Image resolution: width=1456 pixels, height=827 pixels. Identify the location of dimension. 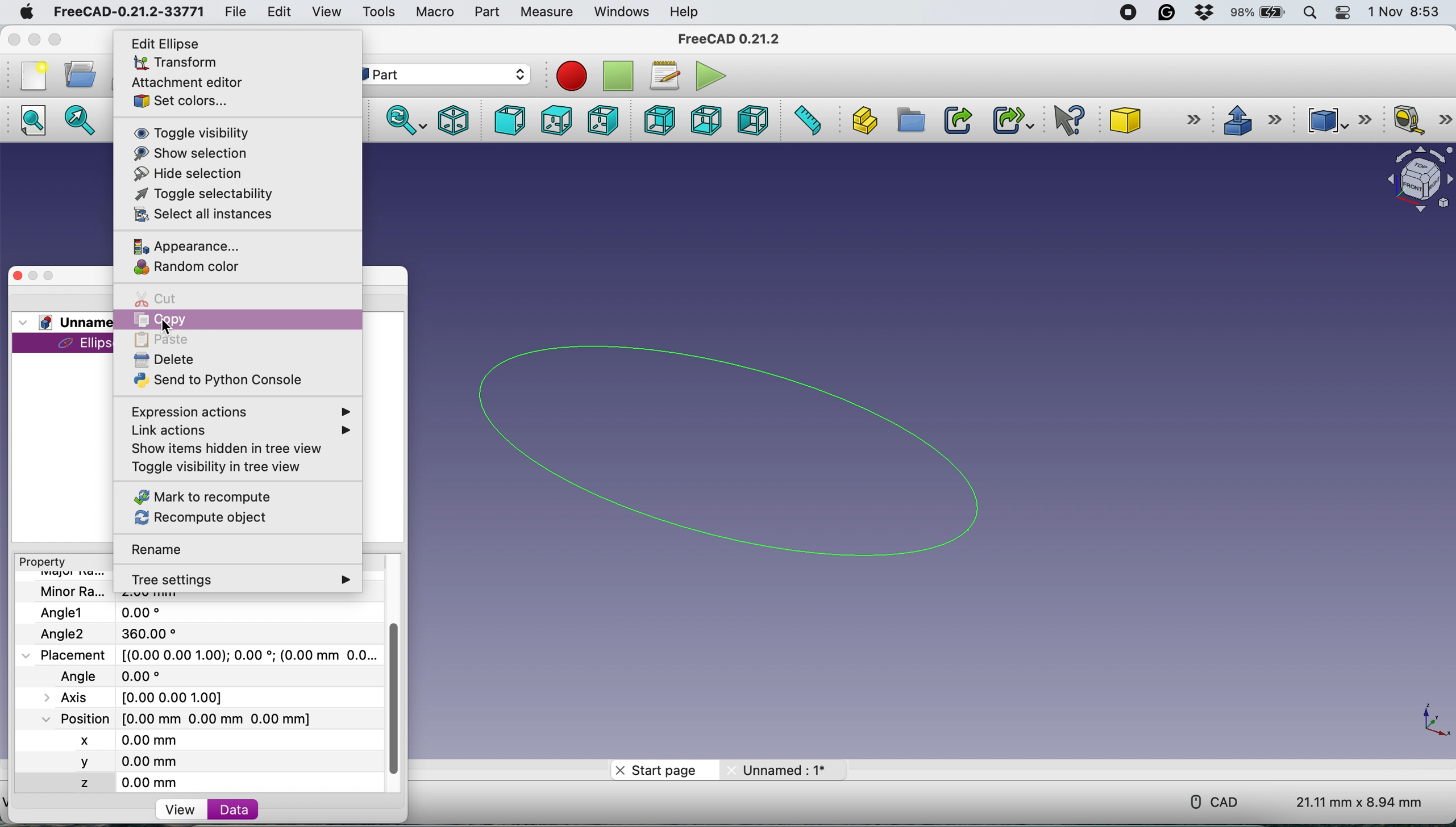
(1362, 802).